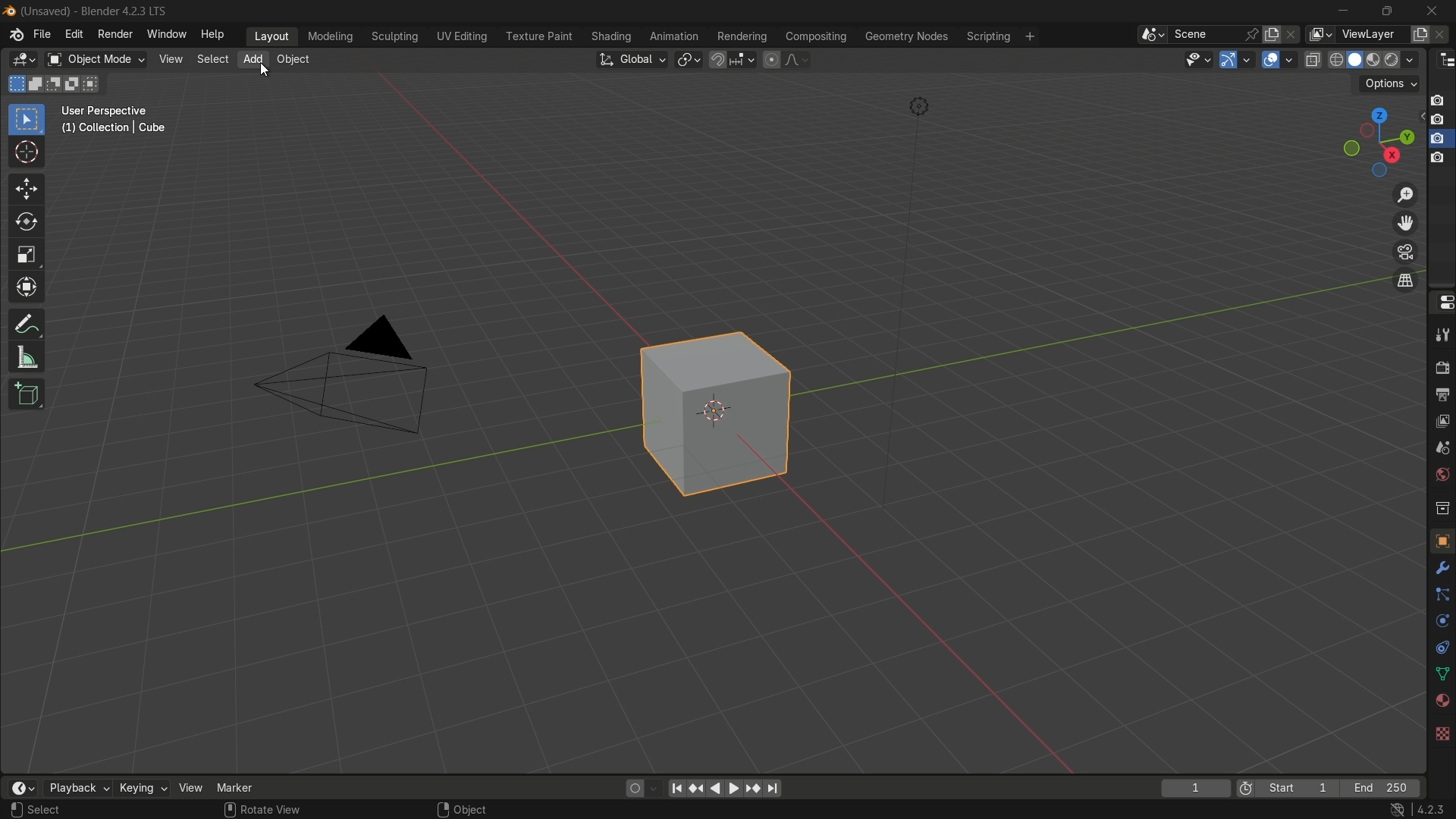 This screenshot has height=819, width=1456. What do you see at coordinates (169, 59) in the screenshot?
I see `view` at bounding box center [169, 59].